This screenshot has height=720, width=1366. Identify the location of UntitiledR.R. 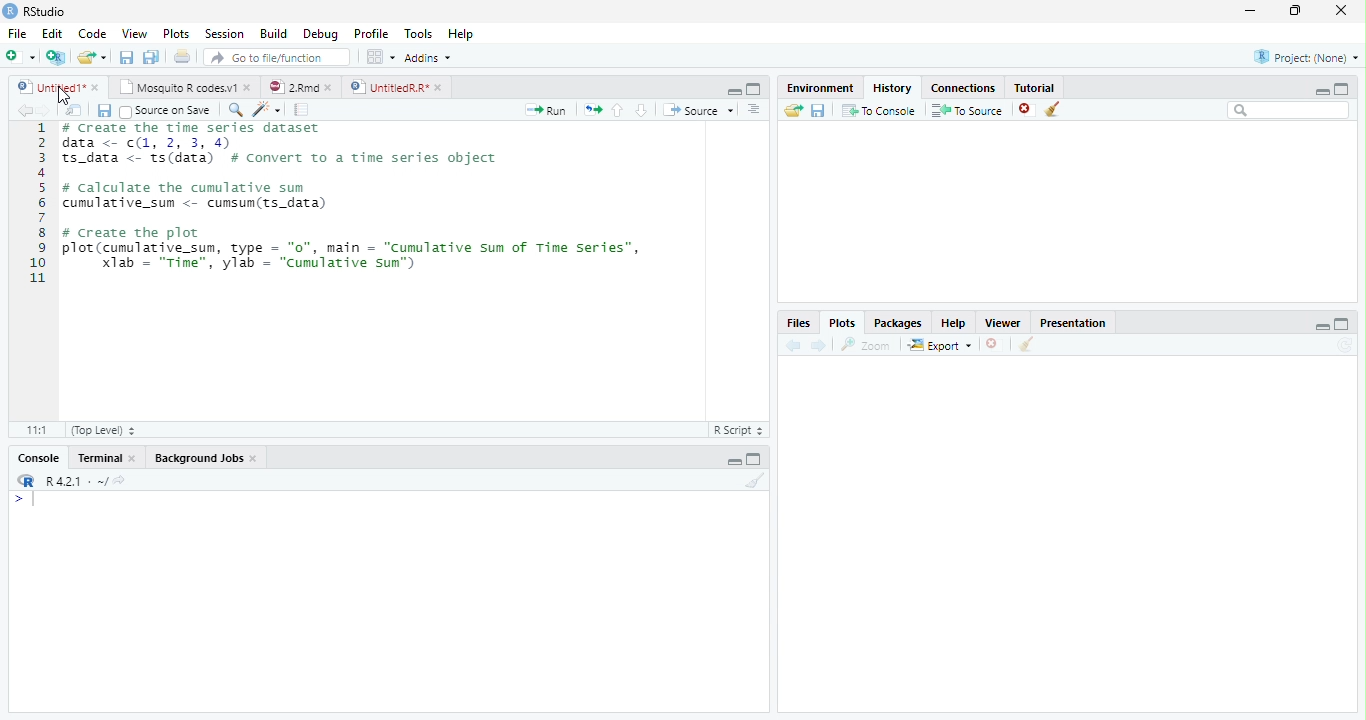
(400, 86).